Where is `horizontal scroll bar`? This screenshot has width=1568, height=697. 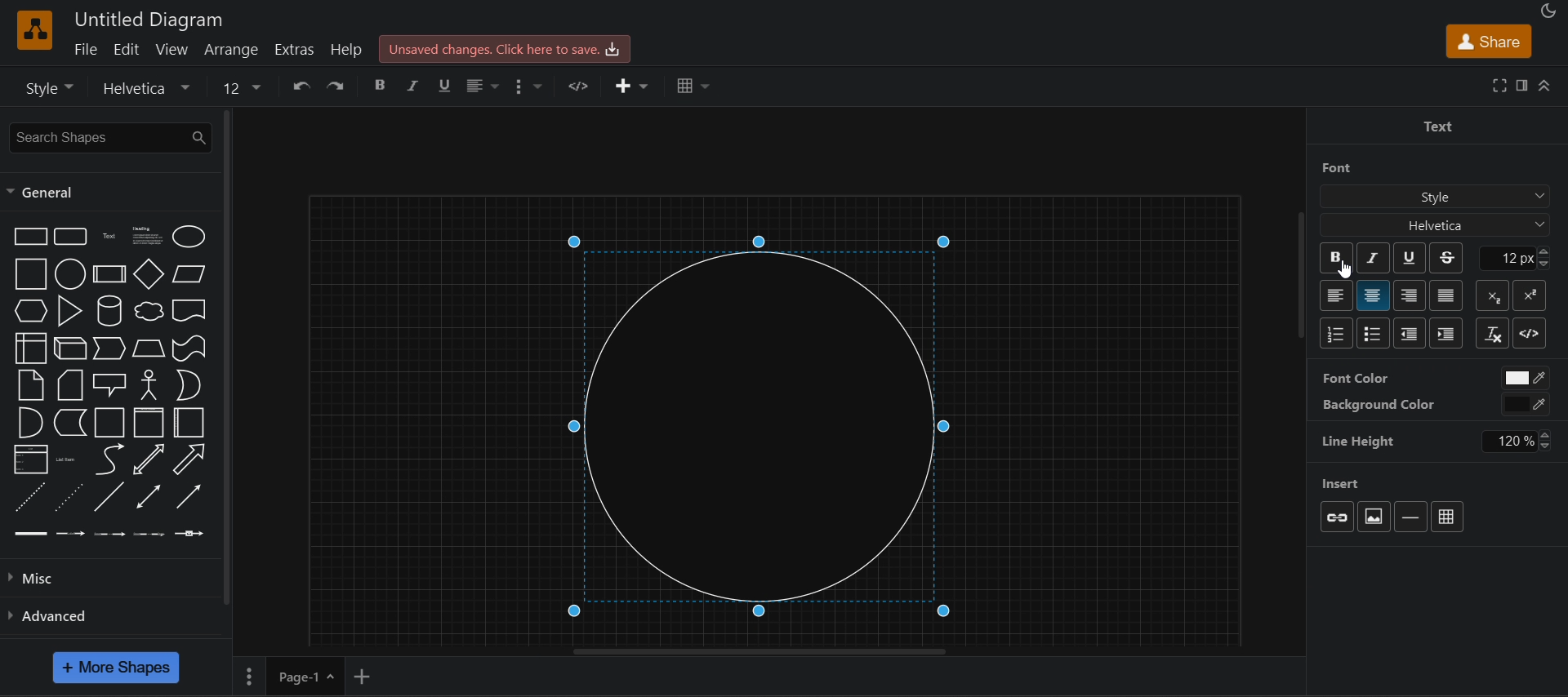
horizontal scroll bar is located at coordinates (762, 654).